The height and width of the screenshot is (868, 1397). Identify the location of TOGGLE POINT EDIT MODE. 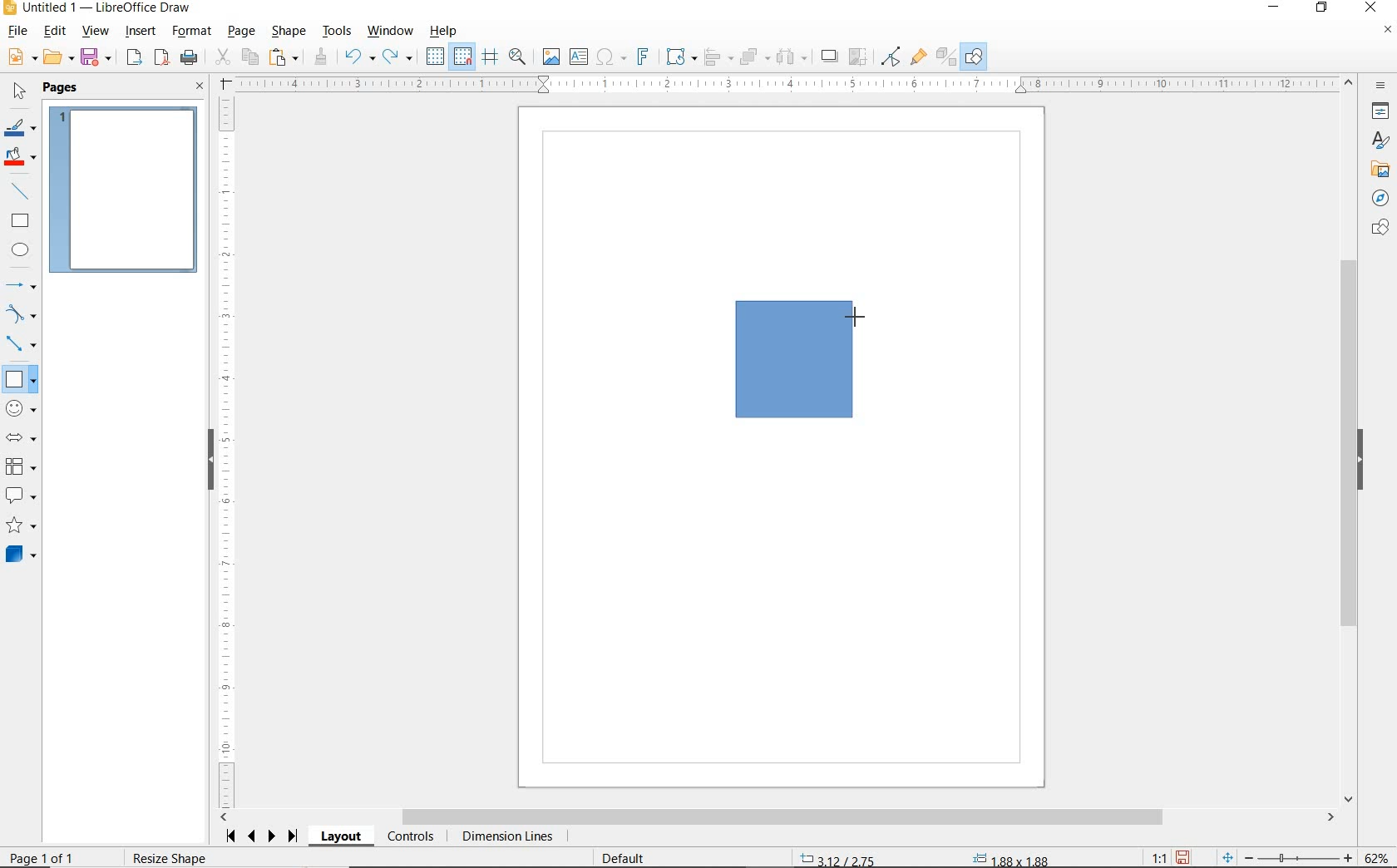
(892, 58).